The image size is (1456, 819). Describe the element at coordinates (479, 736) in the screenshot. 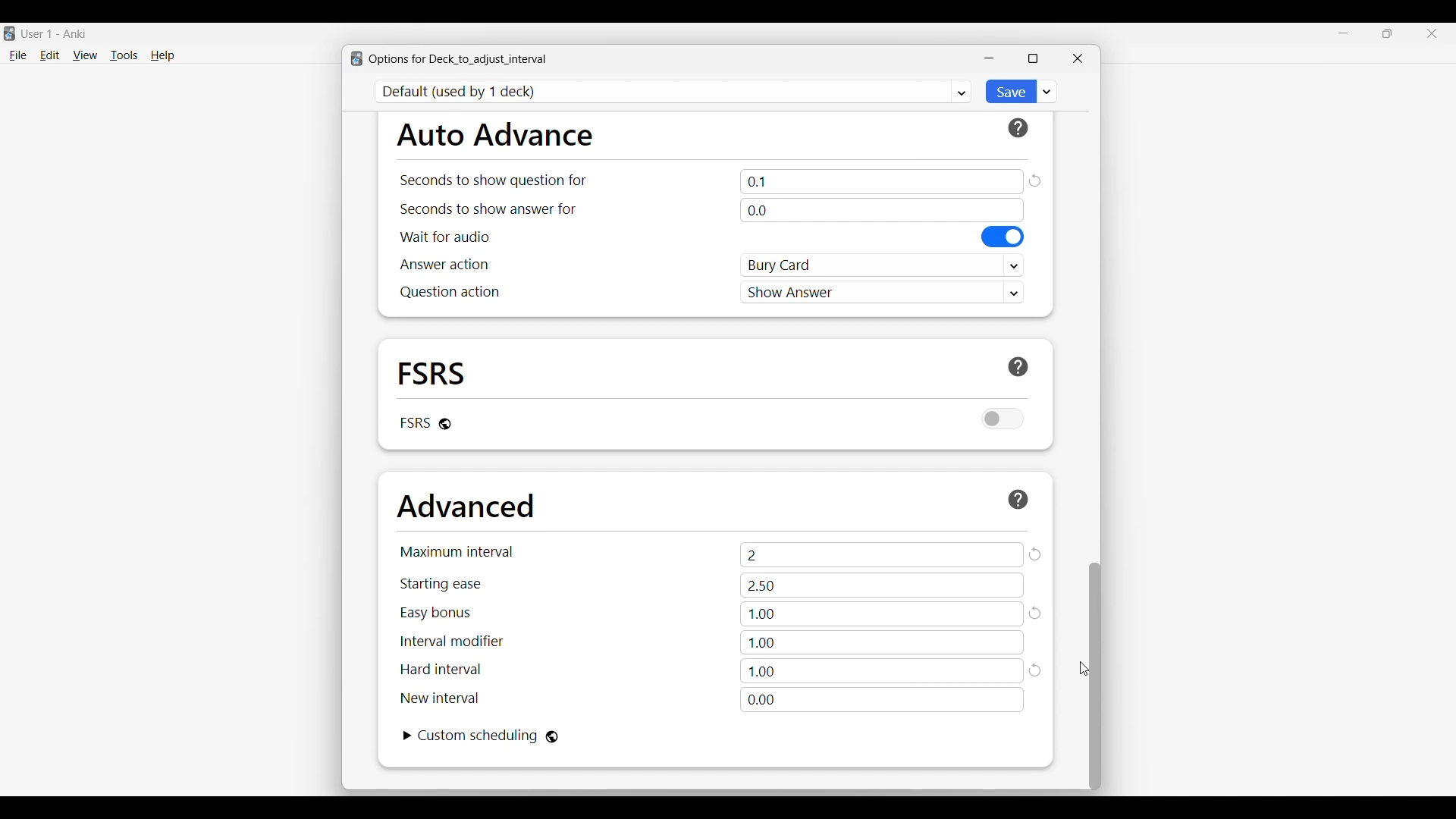

I see `Indicates custom scheduling` at that location.